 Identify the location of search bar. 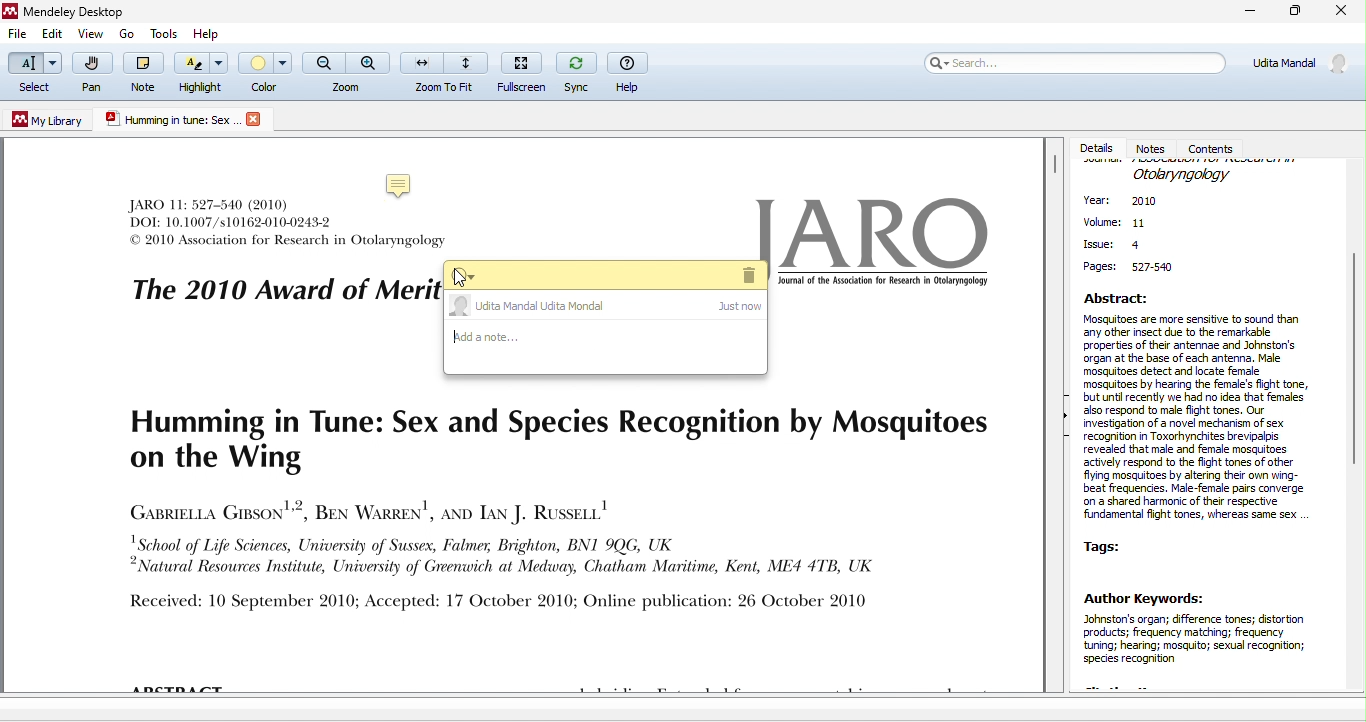
(1074, 68).